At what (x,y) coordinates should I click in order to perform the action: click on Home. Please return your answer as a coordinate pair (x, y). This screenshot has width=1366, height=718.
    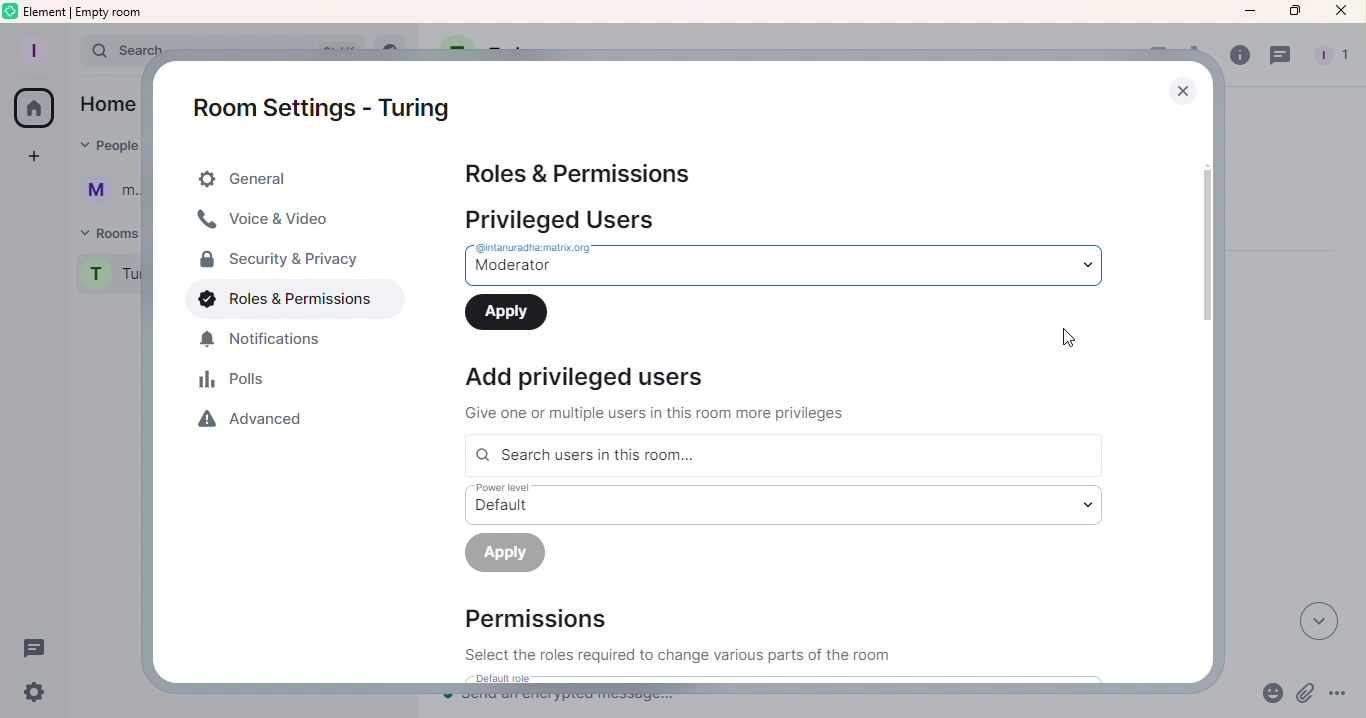
    Looking at the image, I should click on (40, 108).